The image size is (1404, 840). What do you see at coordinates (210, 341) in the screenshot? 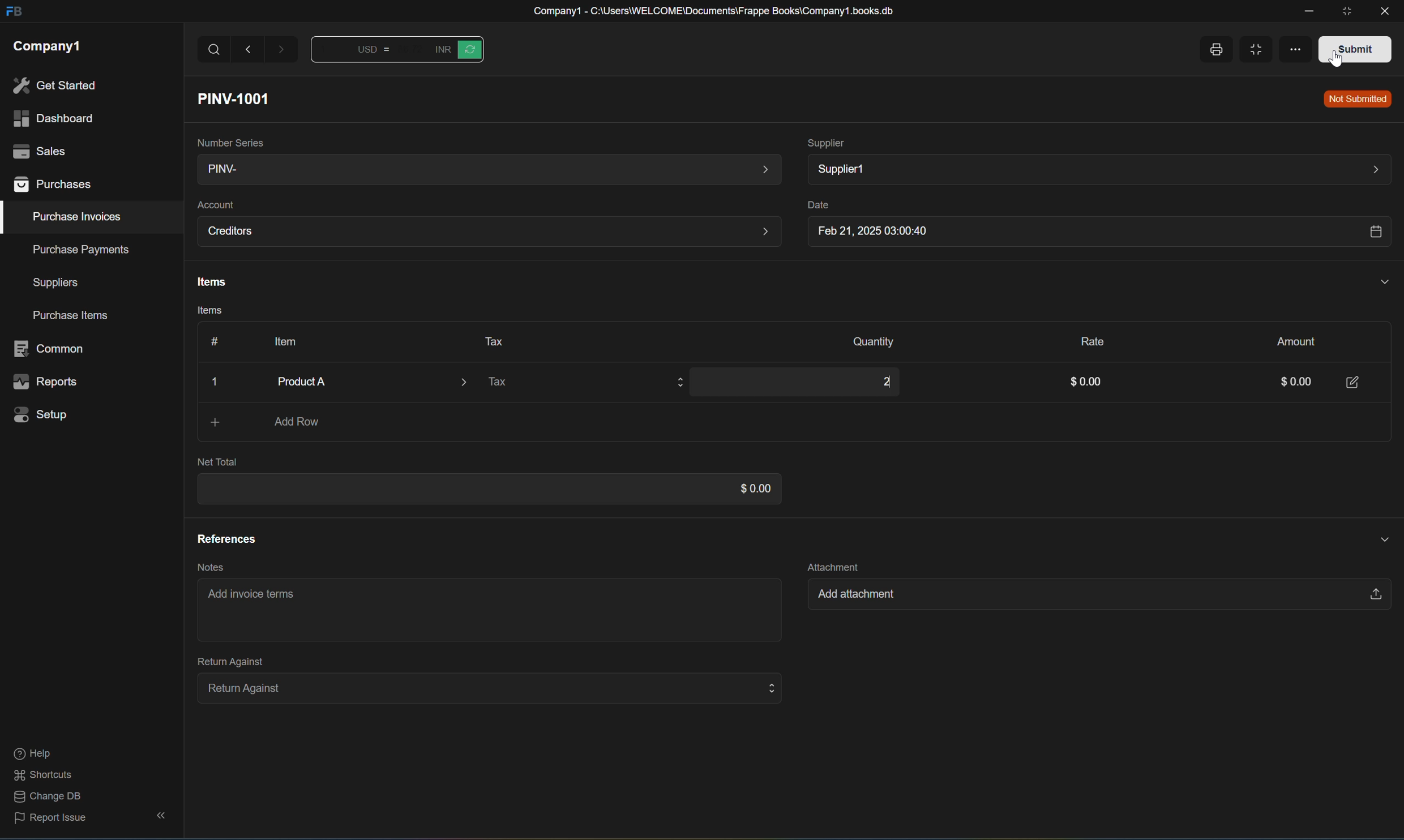
I see `` at bounding box center [210, 341].